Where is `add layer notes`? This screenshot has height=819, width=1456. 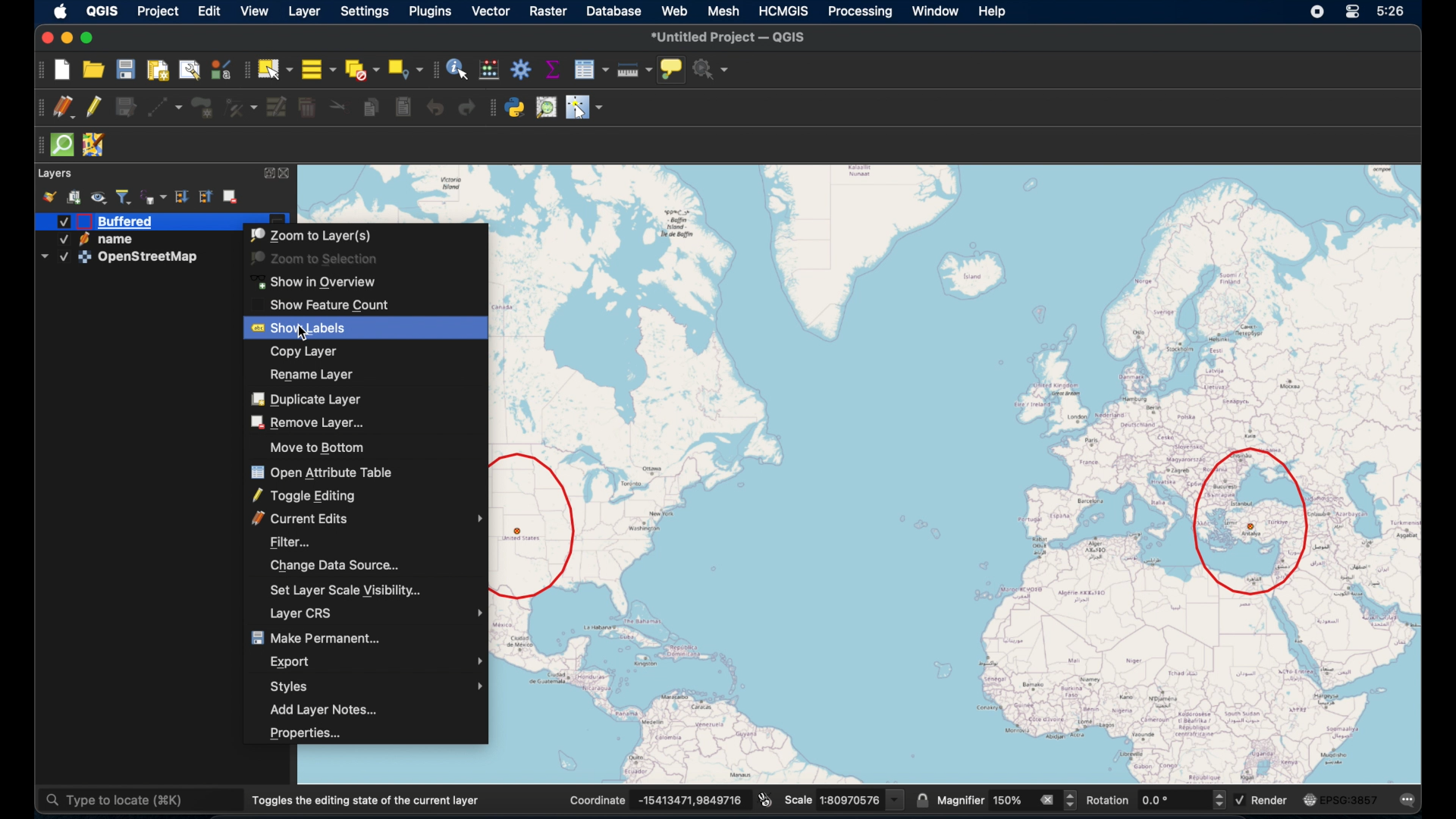
add layer notes is located at coordinates (325, 711).